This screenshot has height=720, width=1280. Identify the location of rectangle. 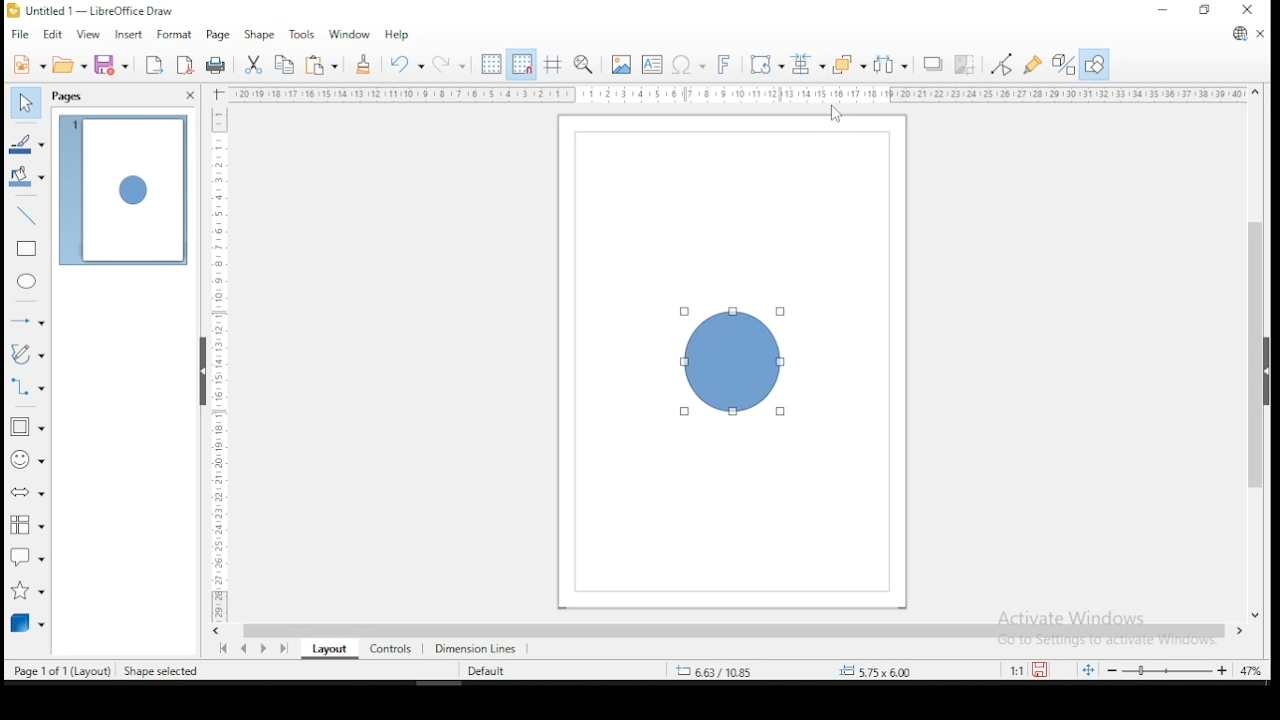
(28, 249).